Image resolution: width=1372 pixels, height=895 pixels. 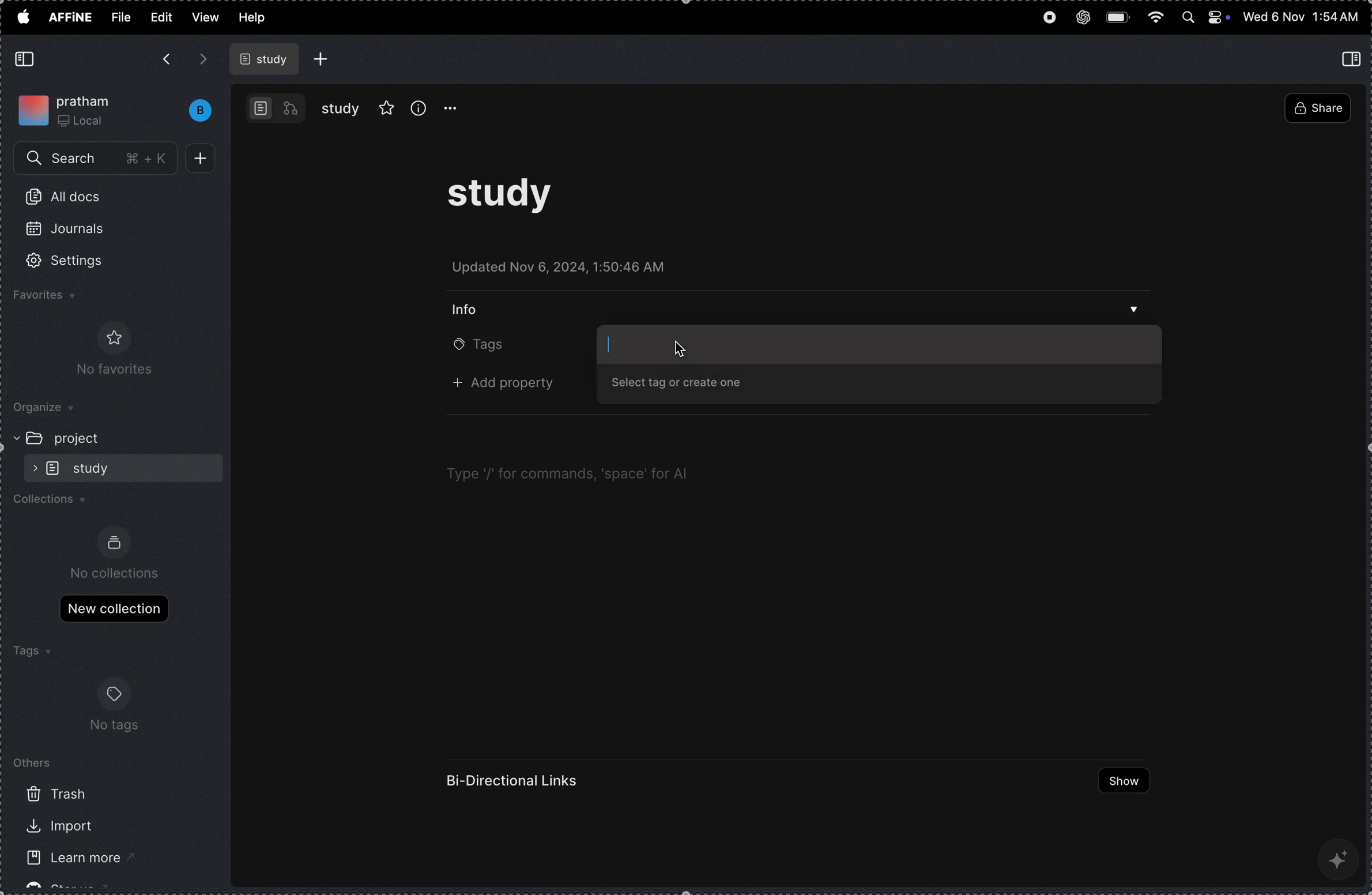 What do you see at coordinates (114, 543) in the screenshot?
I see `collection logo` at bounding box center [114, 543].